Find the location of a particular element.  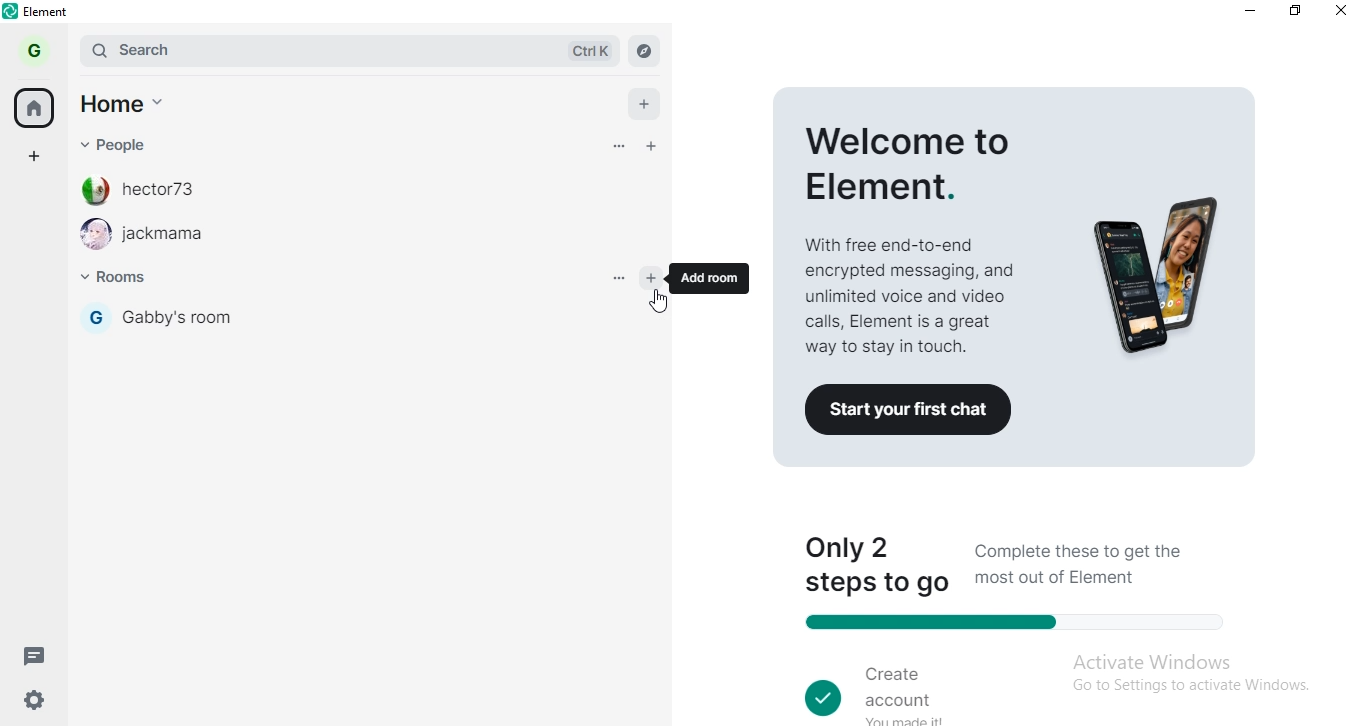

element logo is located at coordinates (11, 11).